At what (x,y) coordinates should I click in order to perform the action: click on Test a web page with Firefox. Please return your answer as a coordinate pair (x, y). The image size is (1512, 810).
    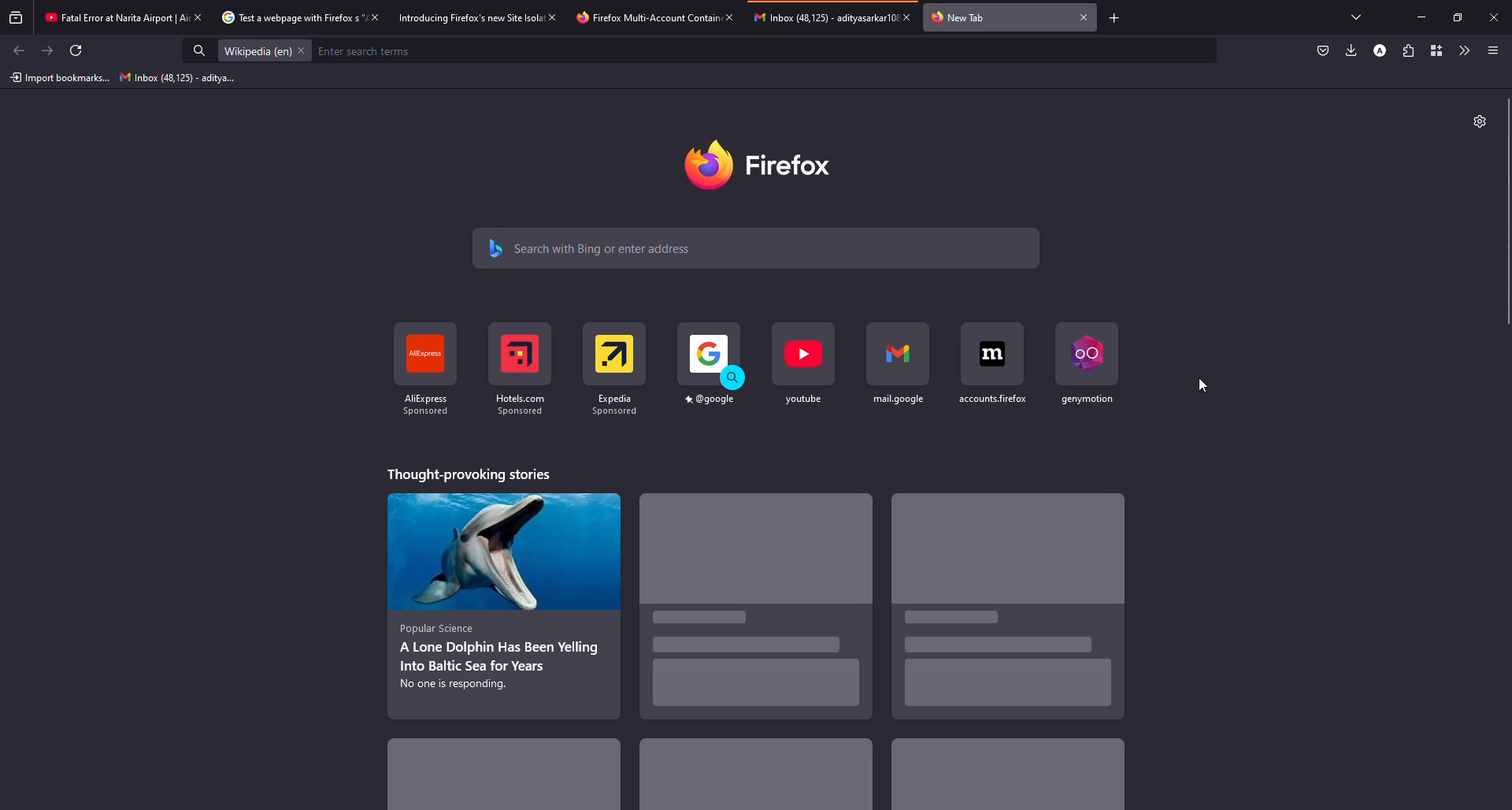
    Looking at the image, I should click on (283, 17).